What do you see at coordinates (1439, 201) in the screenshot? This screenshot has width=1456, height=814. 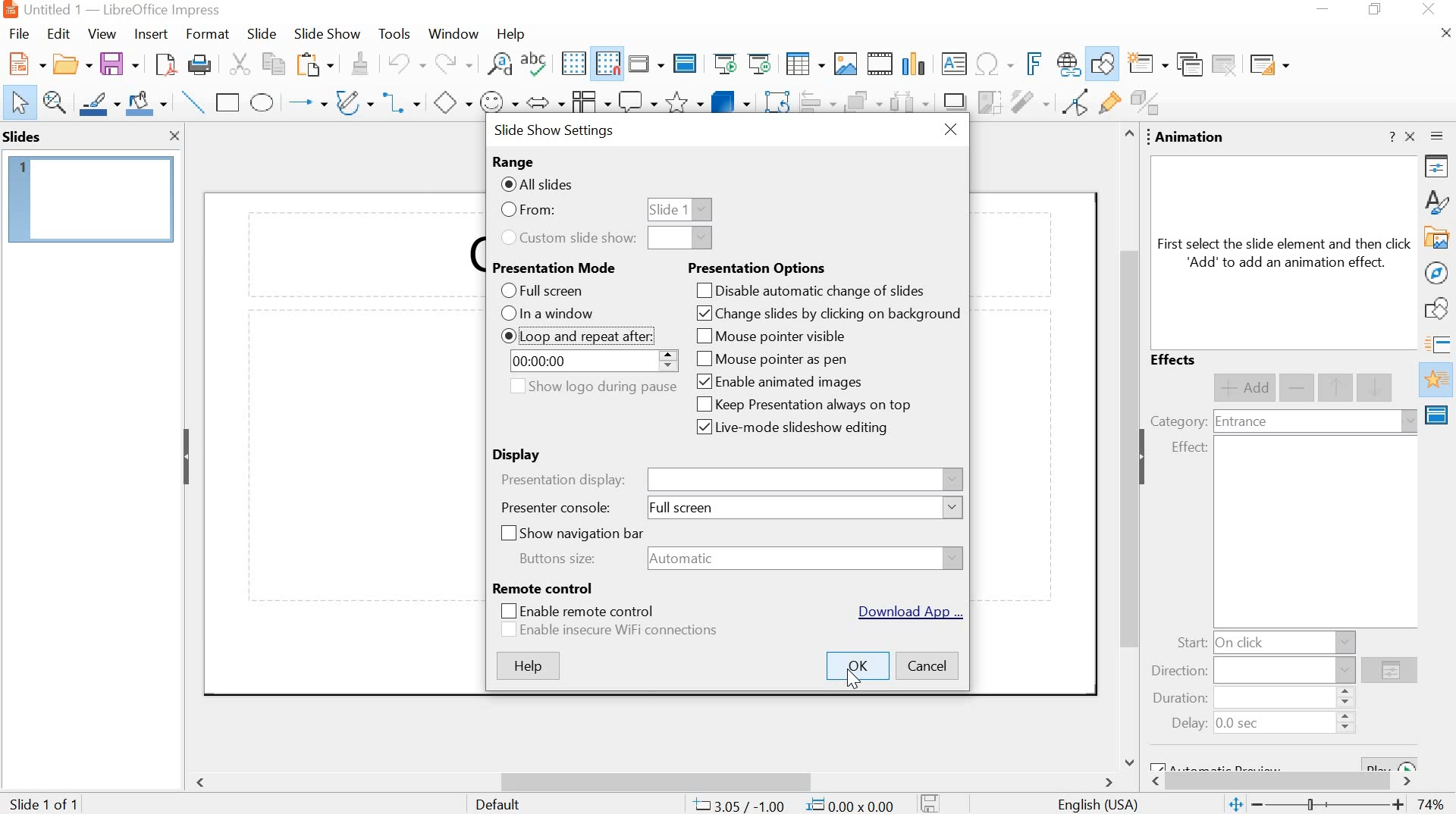 I see `styles` at bounding box center [1439, 201].